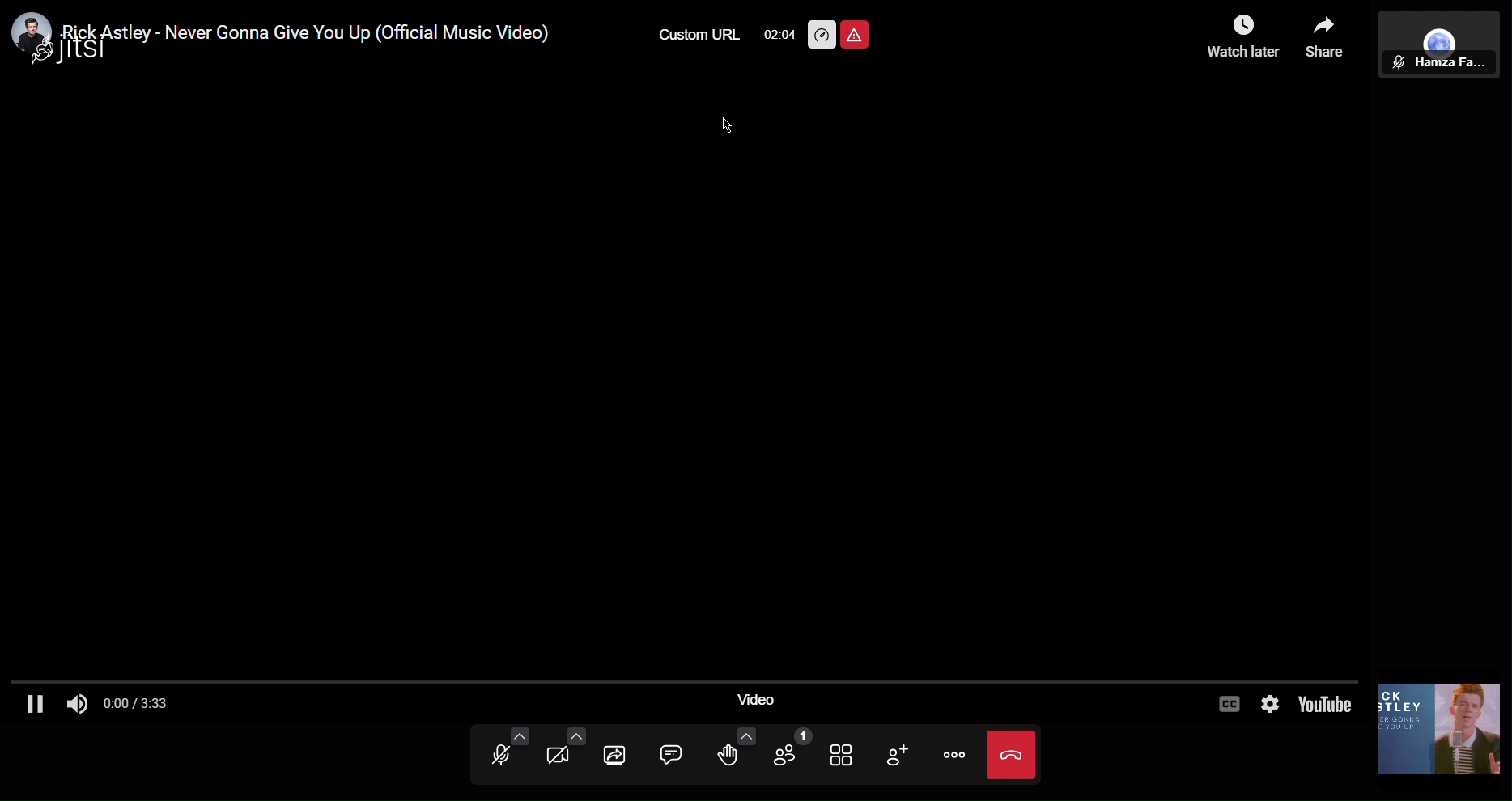 This screenshot has height=801, width=1512. What do you see at coordinates (30, 702) in the screenshot?
I see `Pause` at bounding box center [30, 702].